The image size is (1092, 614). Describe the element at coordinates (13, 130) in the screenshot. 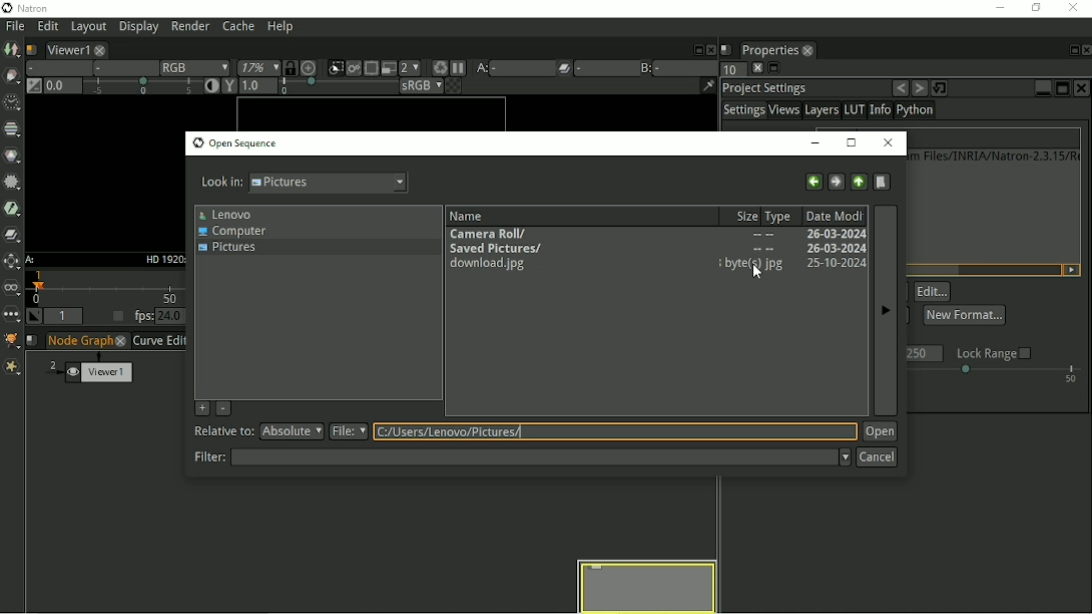

I see `Channel` at that location.